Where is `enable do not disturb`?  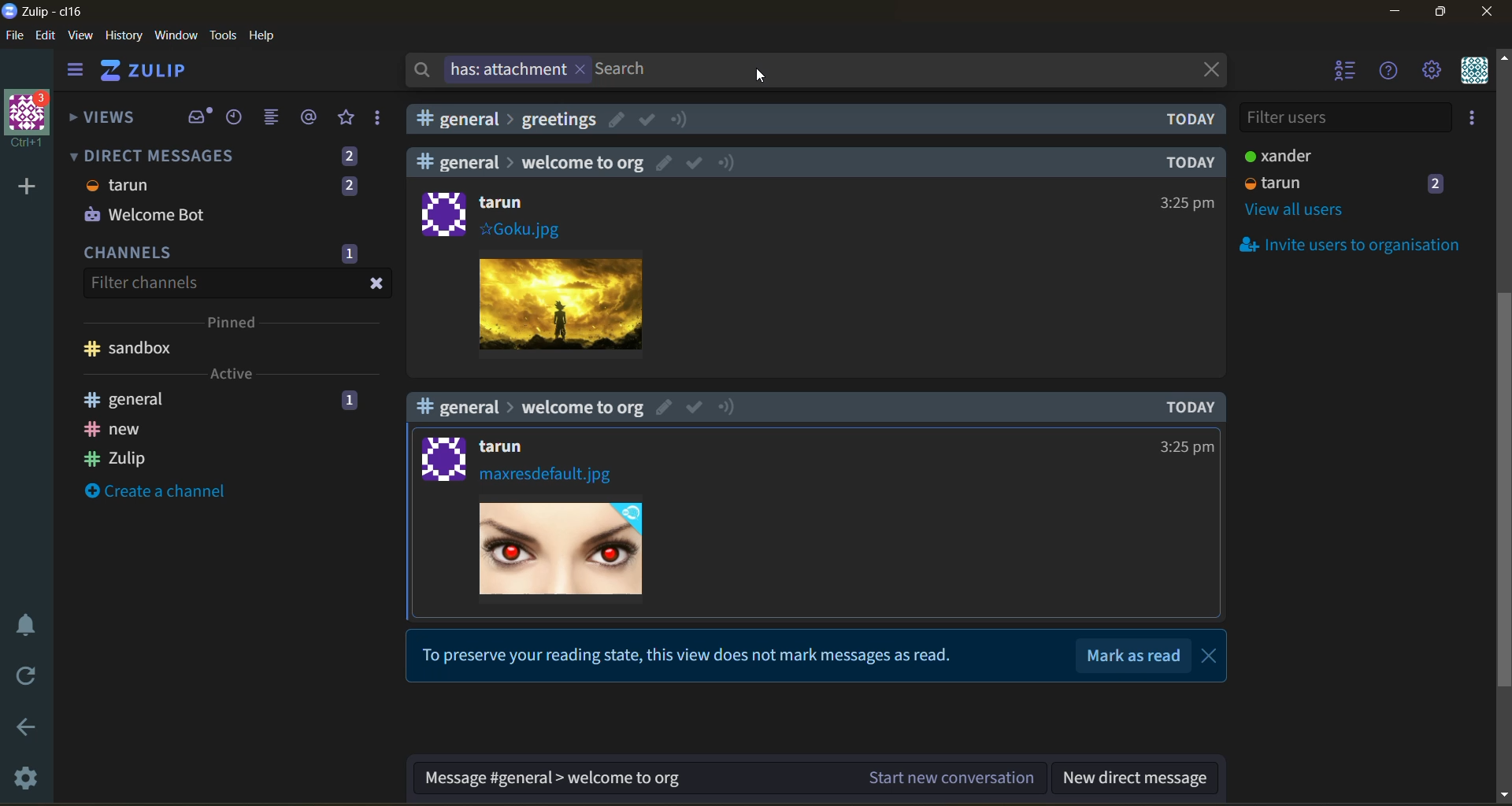
enable do not disturb is located at coordinates (31, 623).